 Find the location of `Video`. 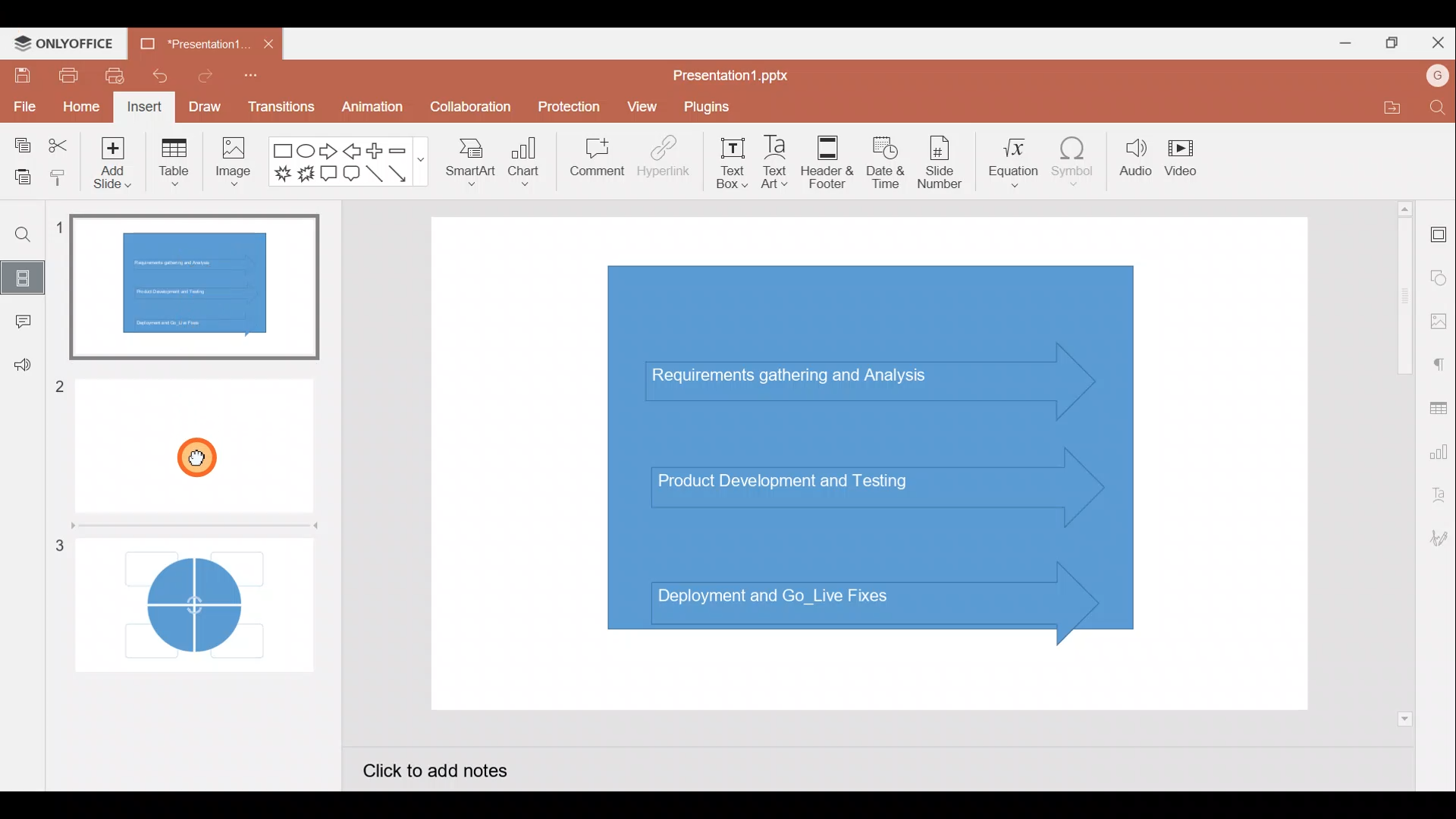

Video is located at coordinates (1187, 157).